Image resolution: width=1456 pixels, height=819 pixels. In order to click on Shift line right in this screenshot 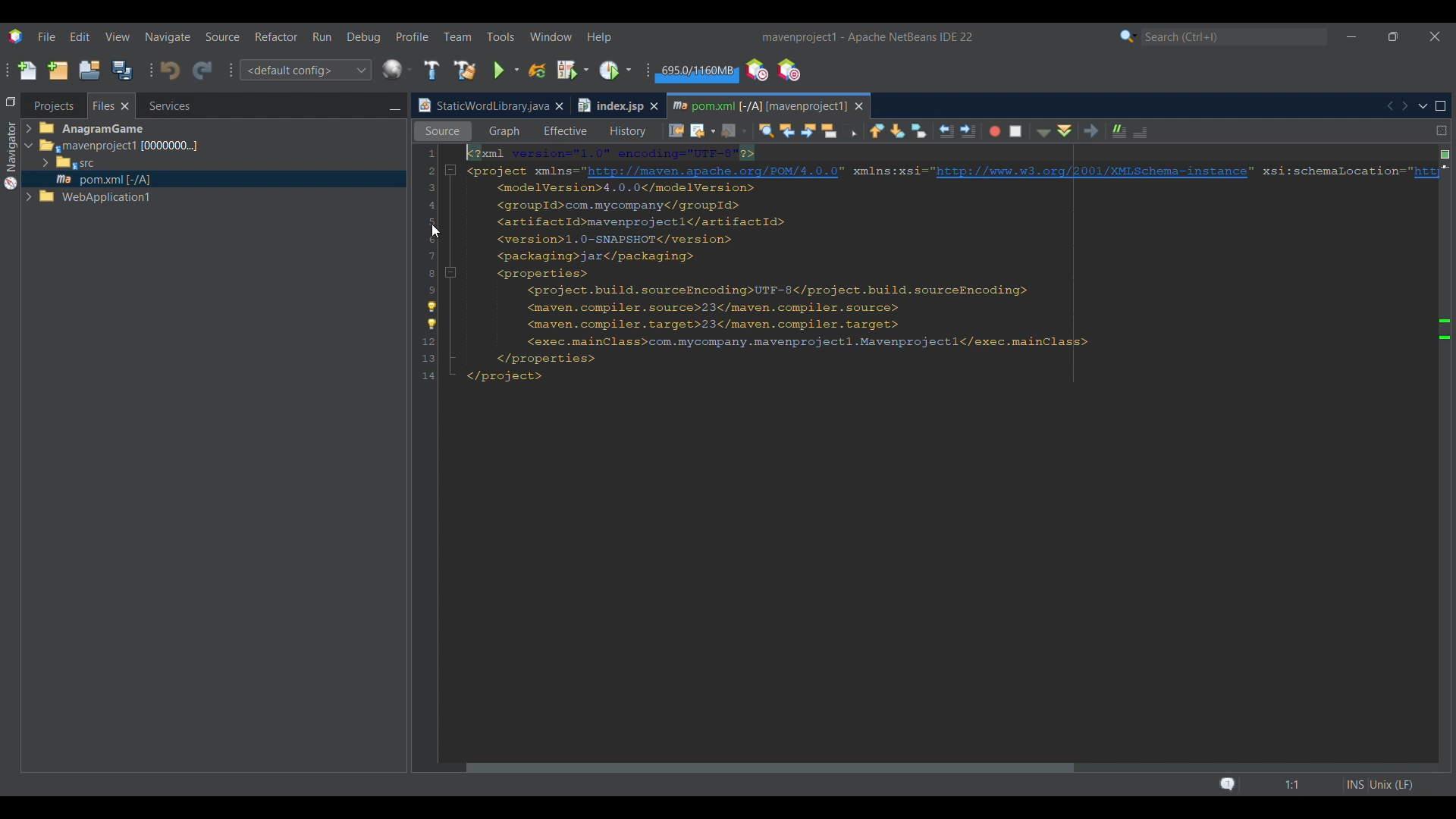, I will do `click(964, 130)`.